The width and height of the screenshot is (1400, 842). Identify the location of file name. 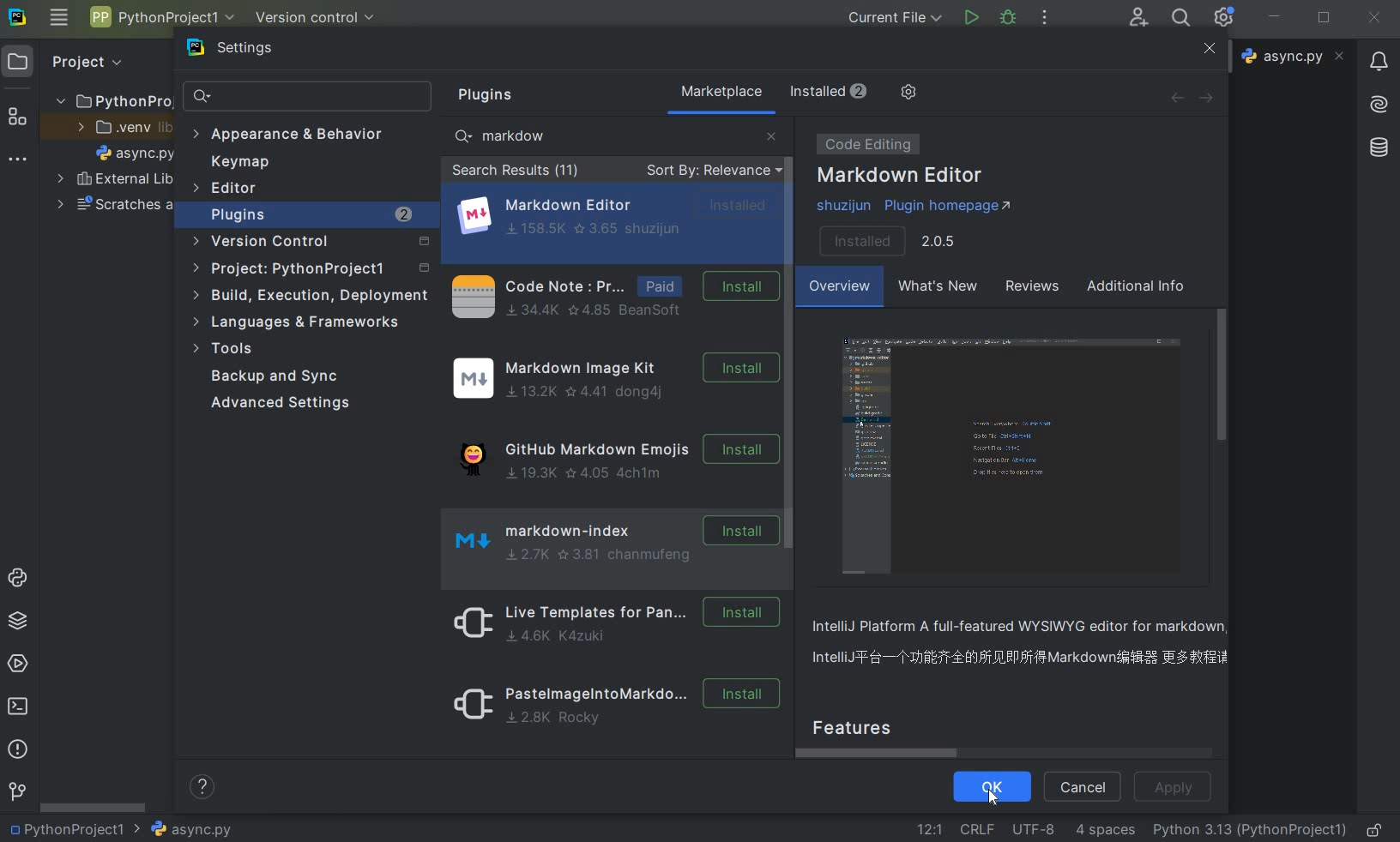
(136, 153).